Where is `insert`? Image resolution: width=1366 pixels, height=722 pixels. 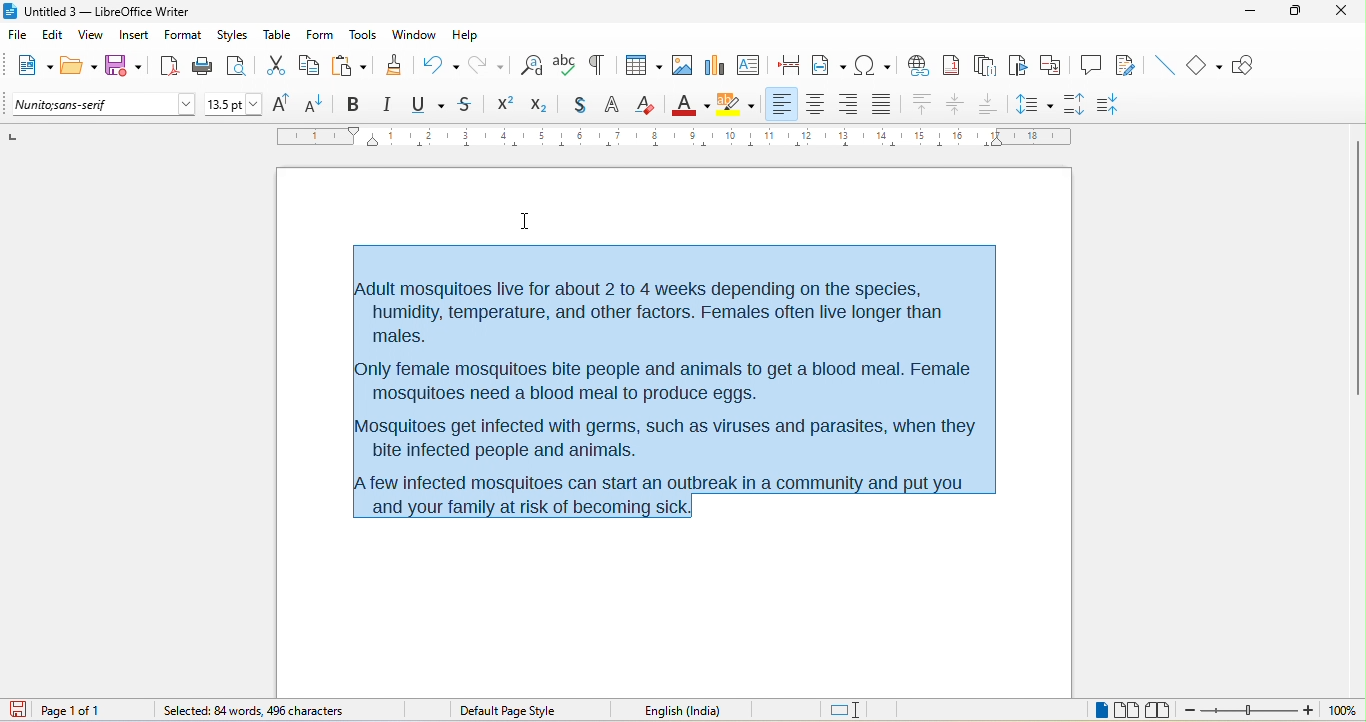 insert is located at coordinates (134, 37).